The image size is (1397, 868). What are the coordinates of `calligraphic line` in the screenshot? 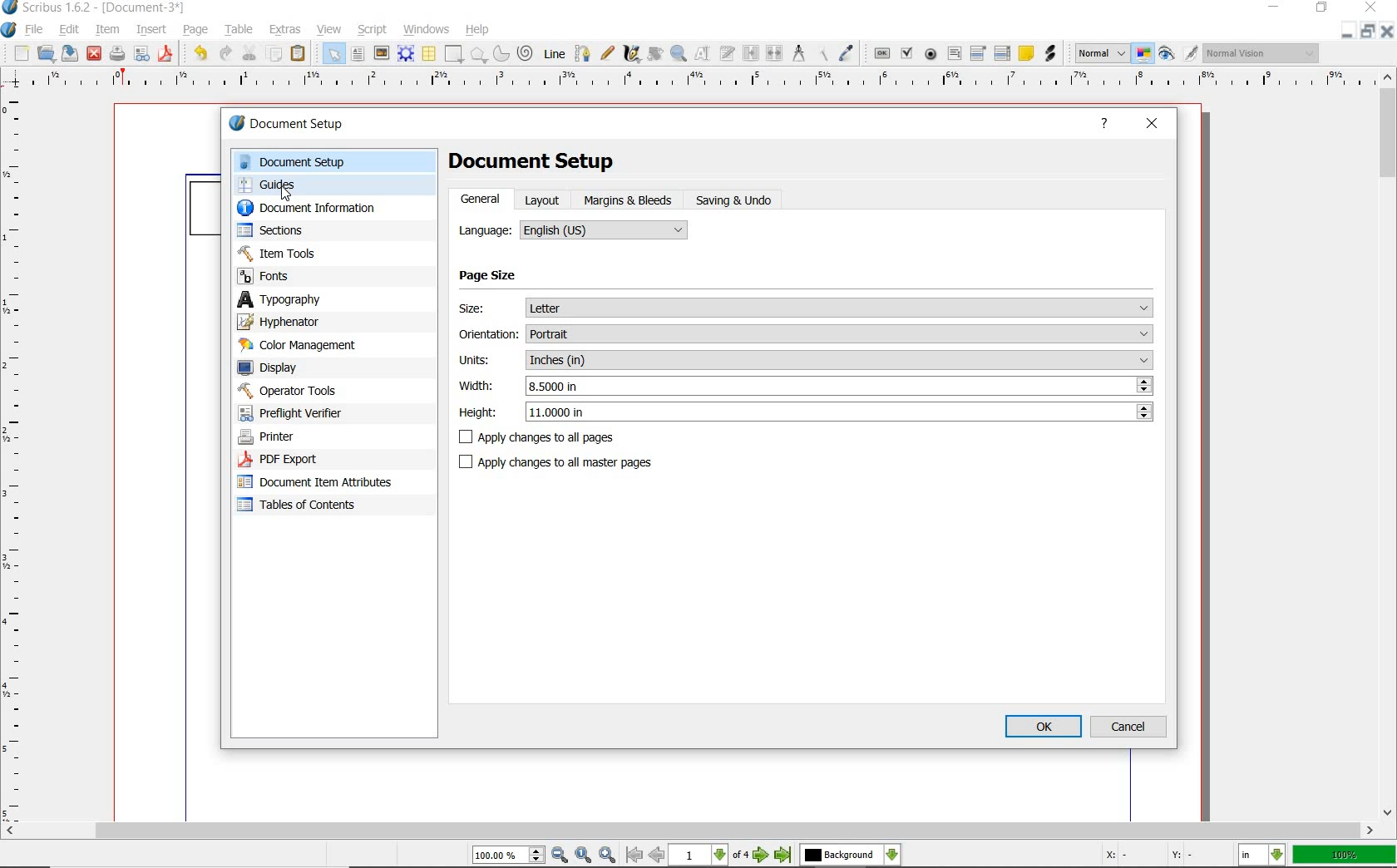 It's located at (634, 54).